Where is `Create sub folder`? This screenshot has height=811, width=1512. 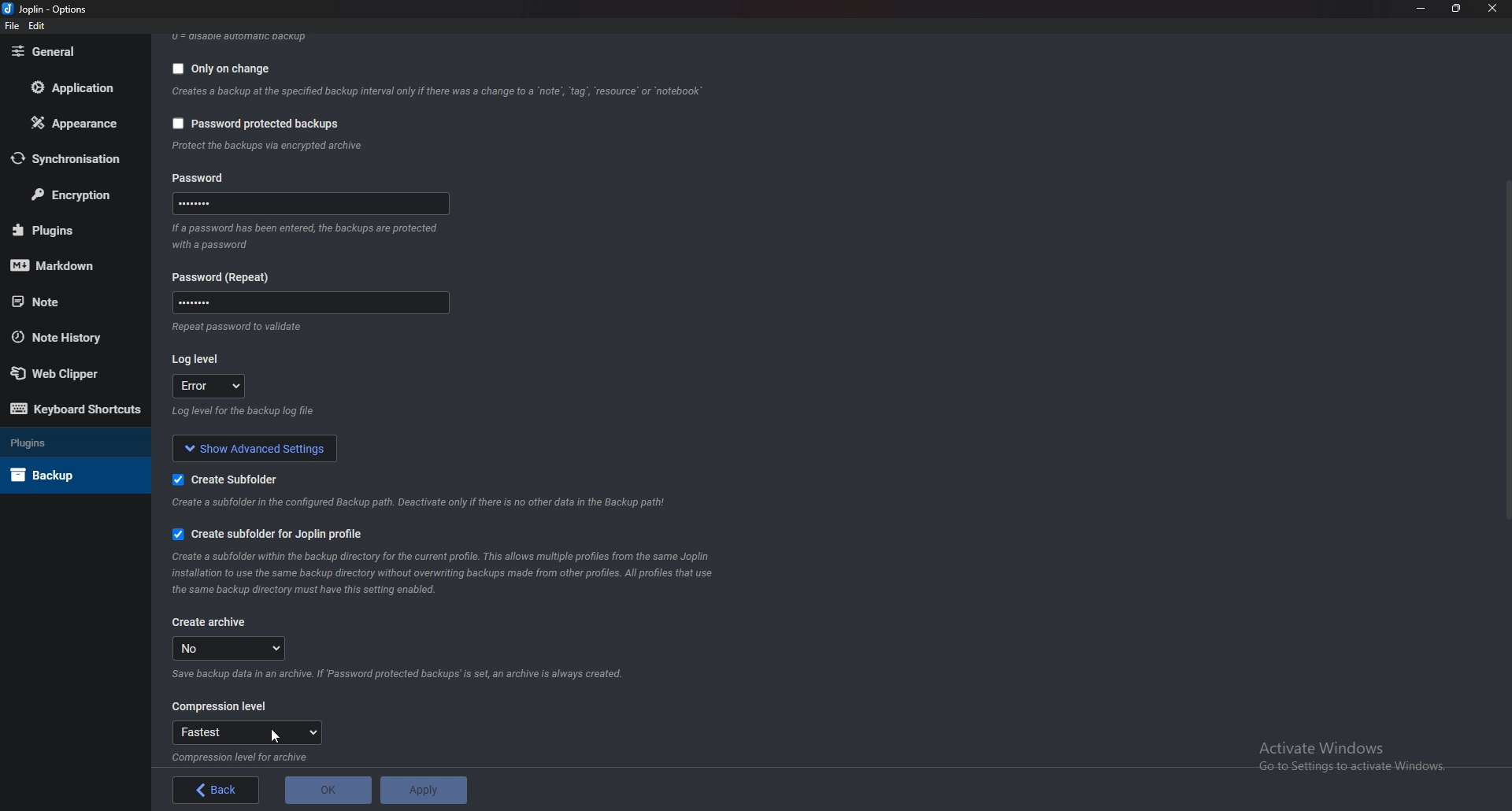
Create sub folder is located at coordinates (230, 480).